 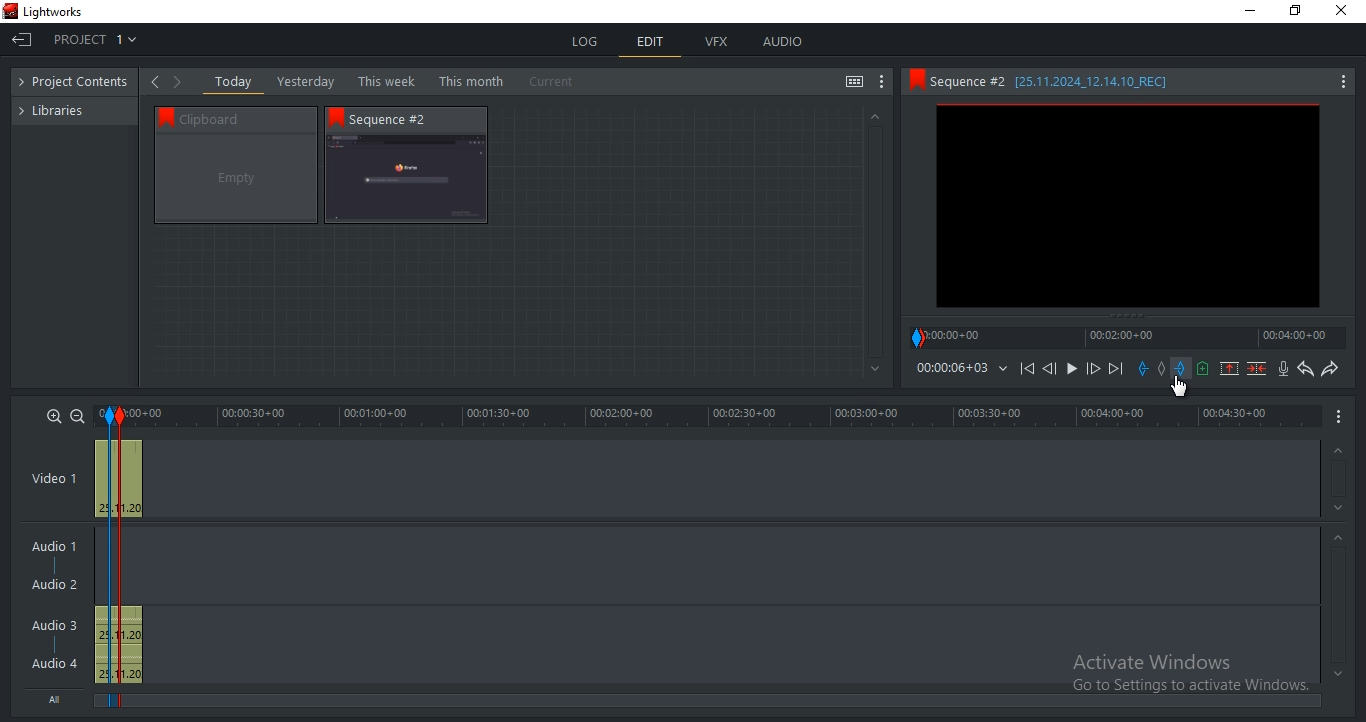 I want to click on undo, so click(x=1306, y=369).